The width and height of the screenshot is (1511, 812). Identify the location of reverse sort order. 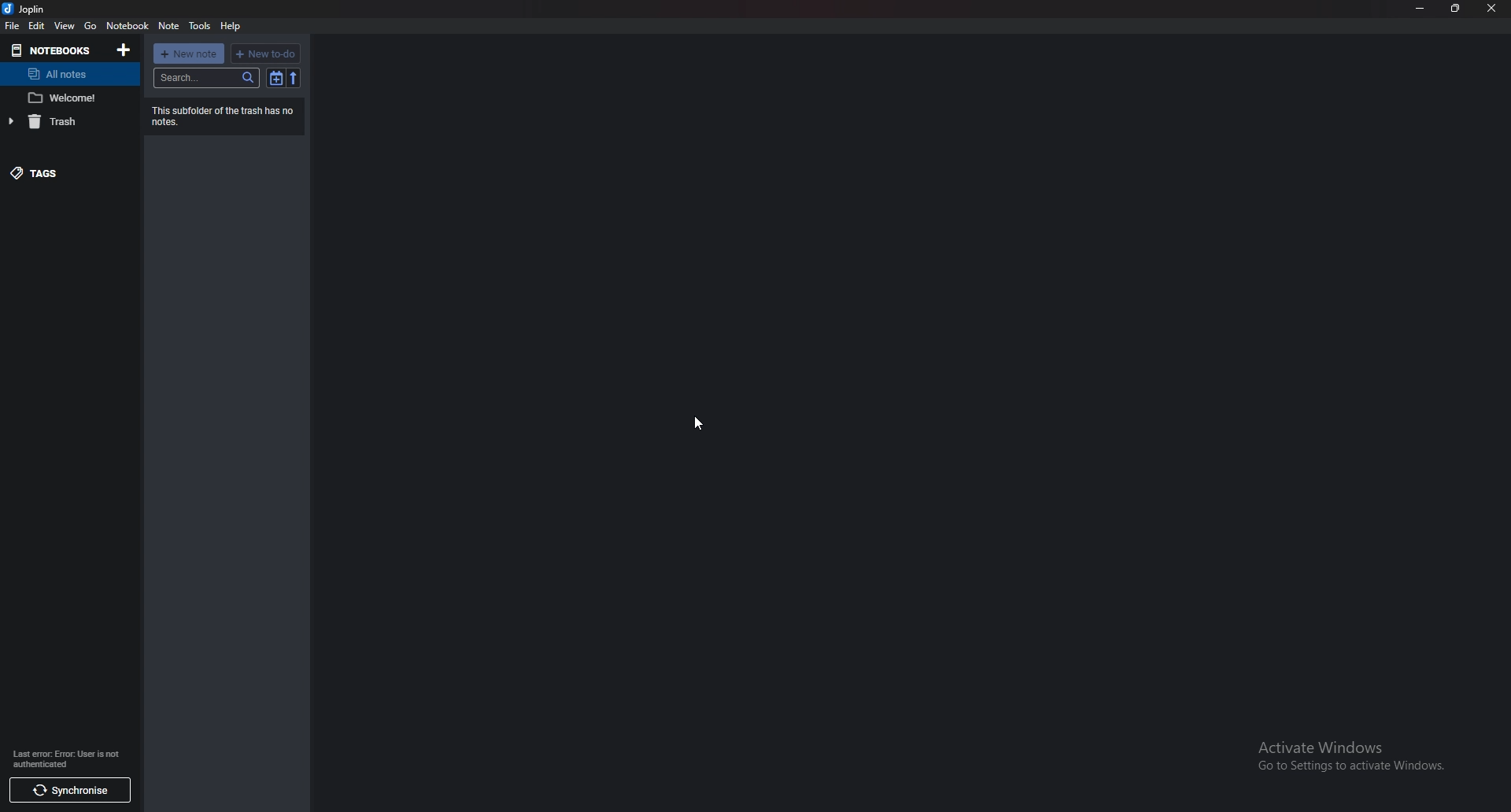
(293, 78).